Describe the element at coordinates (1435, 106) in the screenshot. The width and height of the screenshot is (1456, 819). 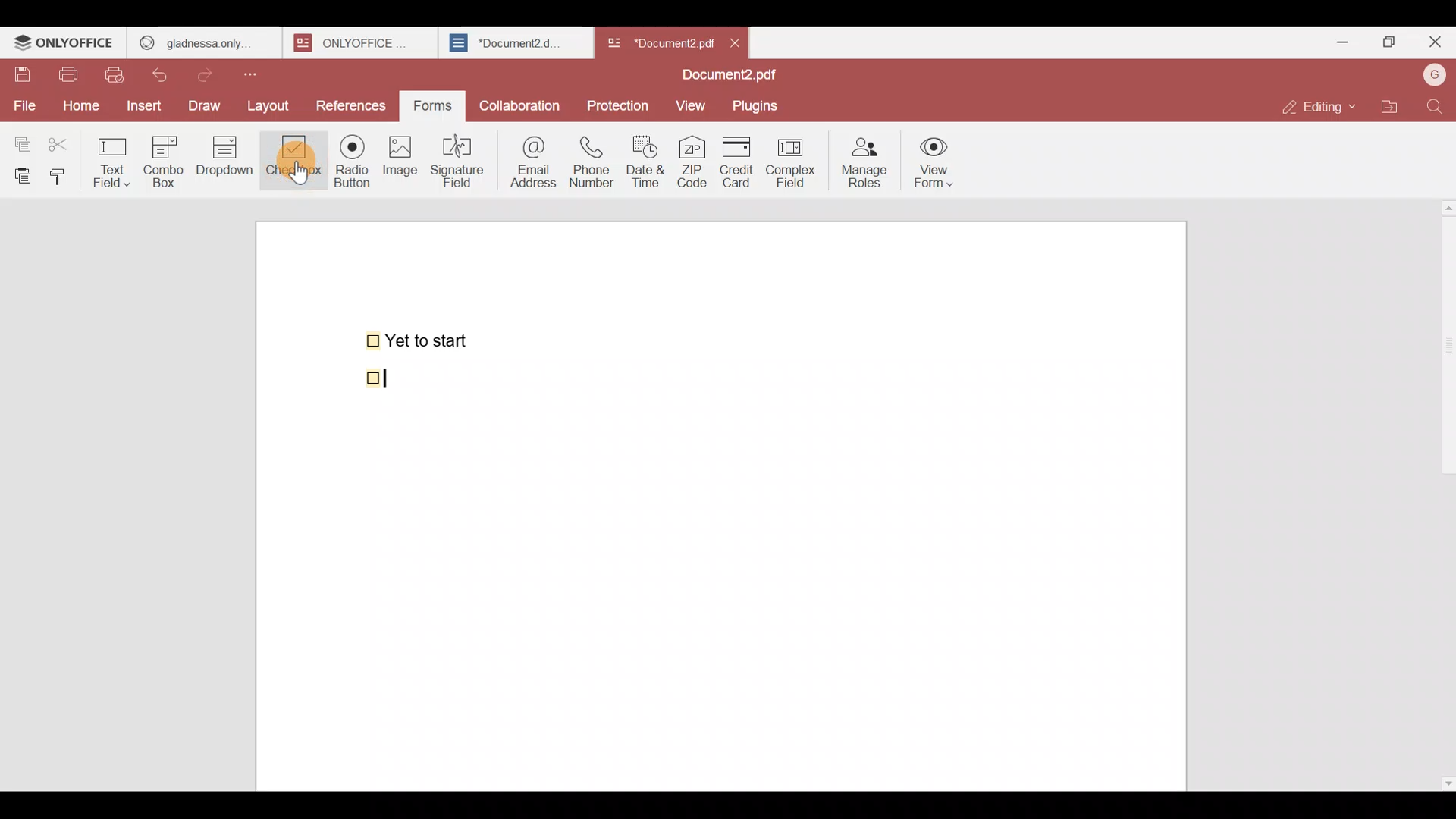
I see `Find` at that location.